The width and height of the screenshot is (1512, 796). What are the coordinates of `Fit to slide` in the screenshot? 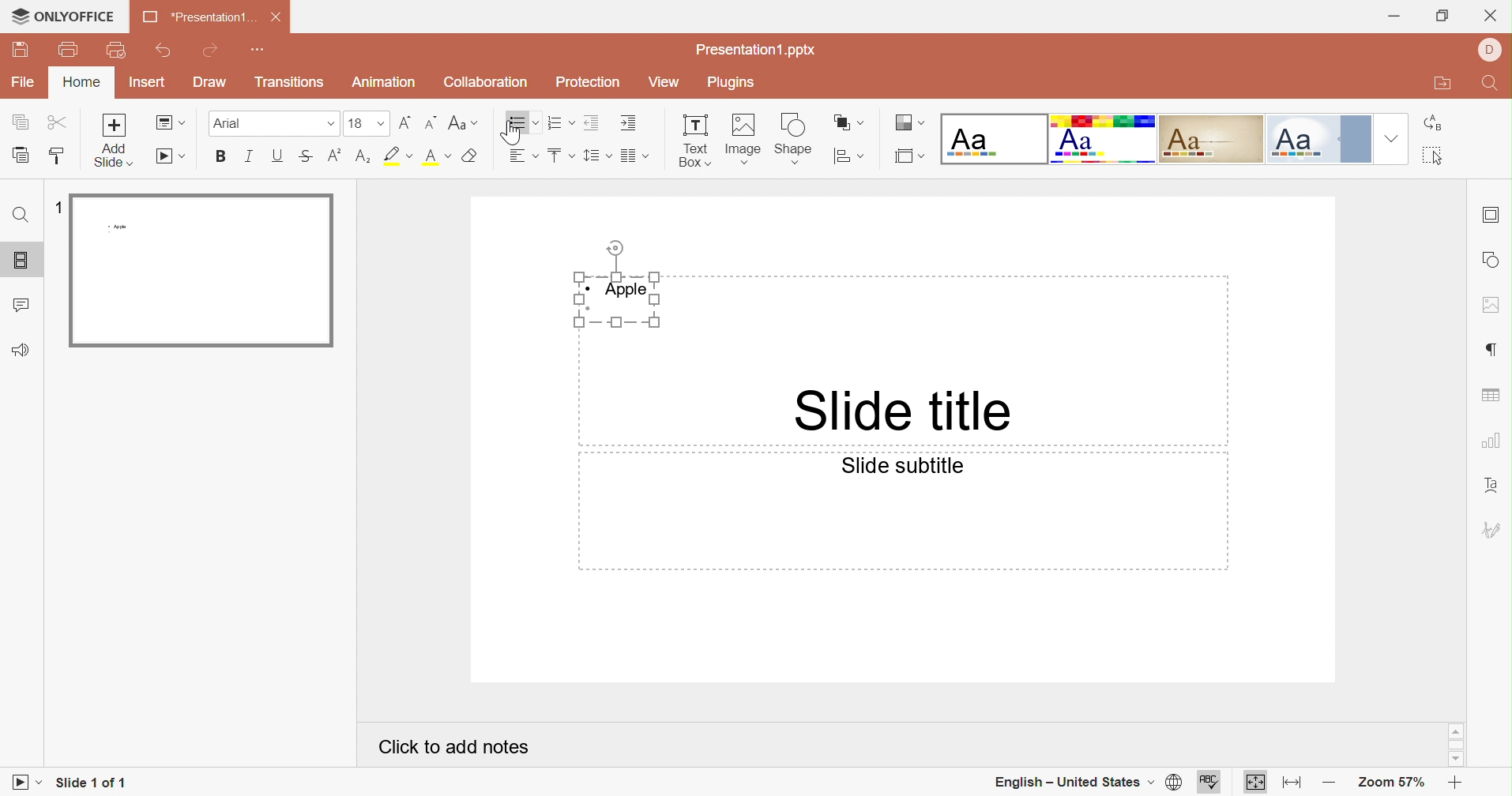 It's located at (1256, 783).